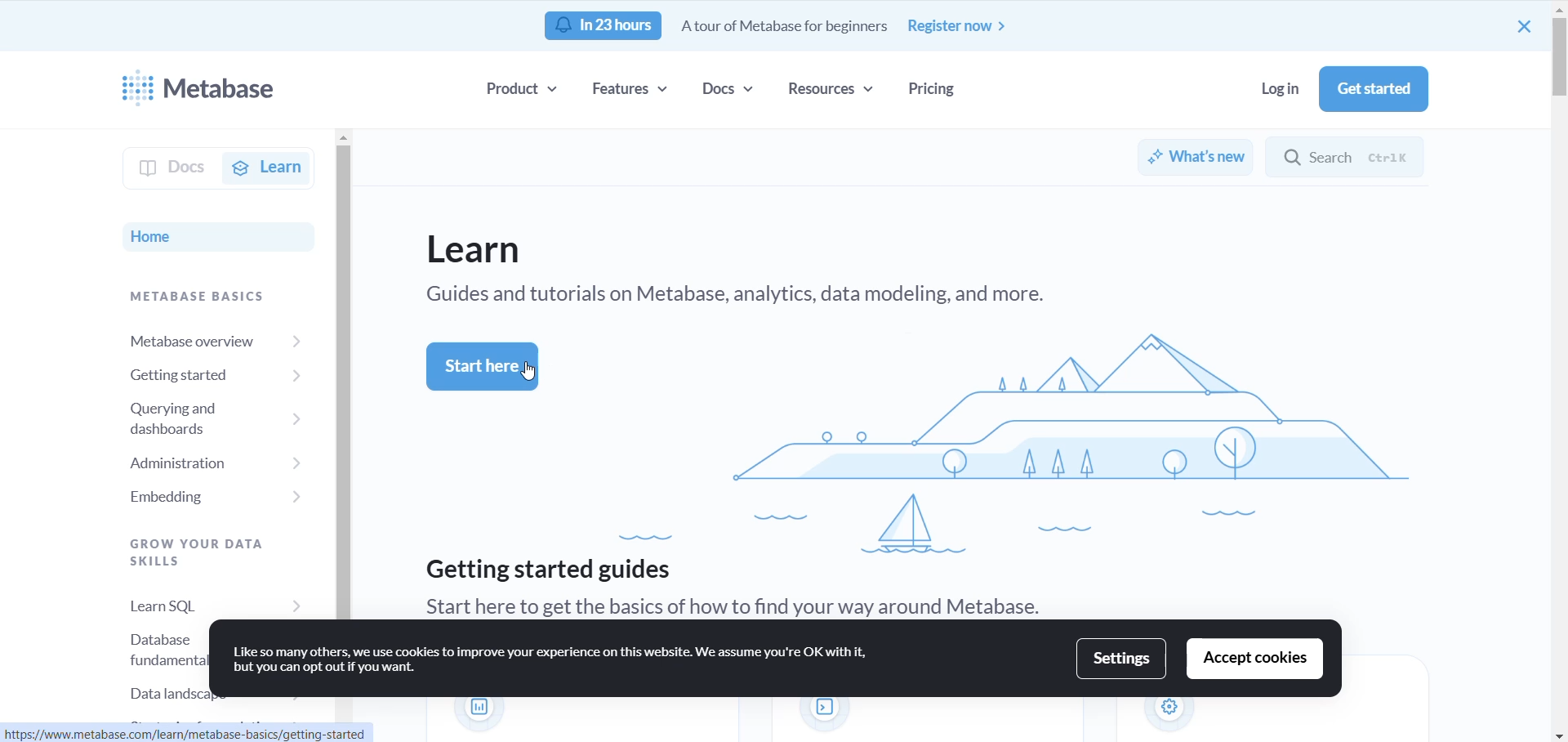  What do you see at coordinates (631, 90) in the screenshot?
I see `features` at bounding box center [631, 90].